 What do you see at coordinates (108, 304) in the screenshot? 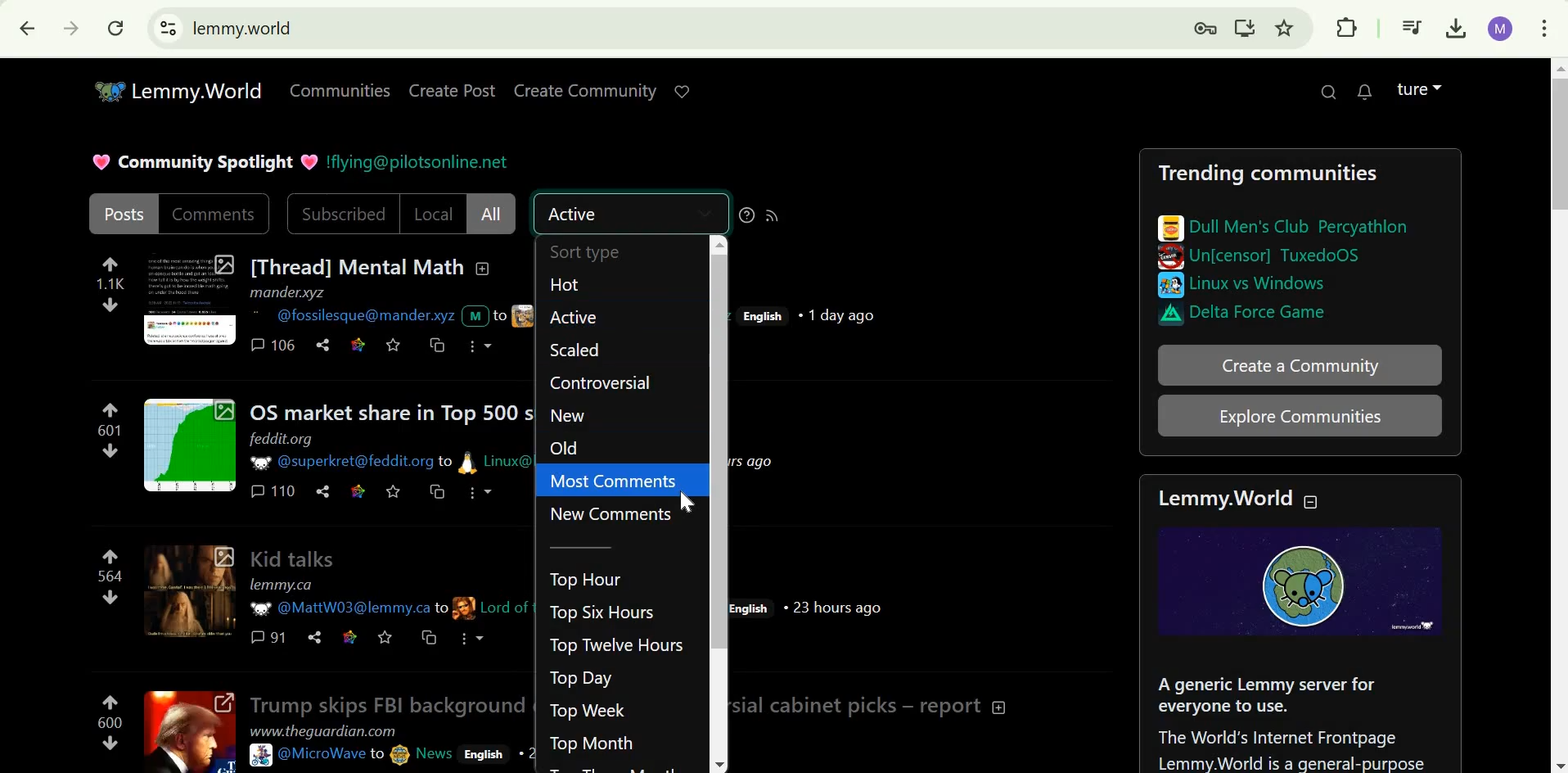
I see `downvote` at bounding box center [108, 304].